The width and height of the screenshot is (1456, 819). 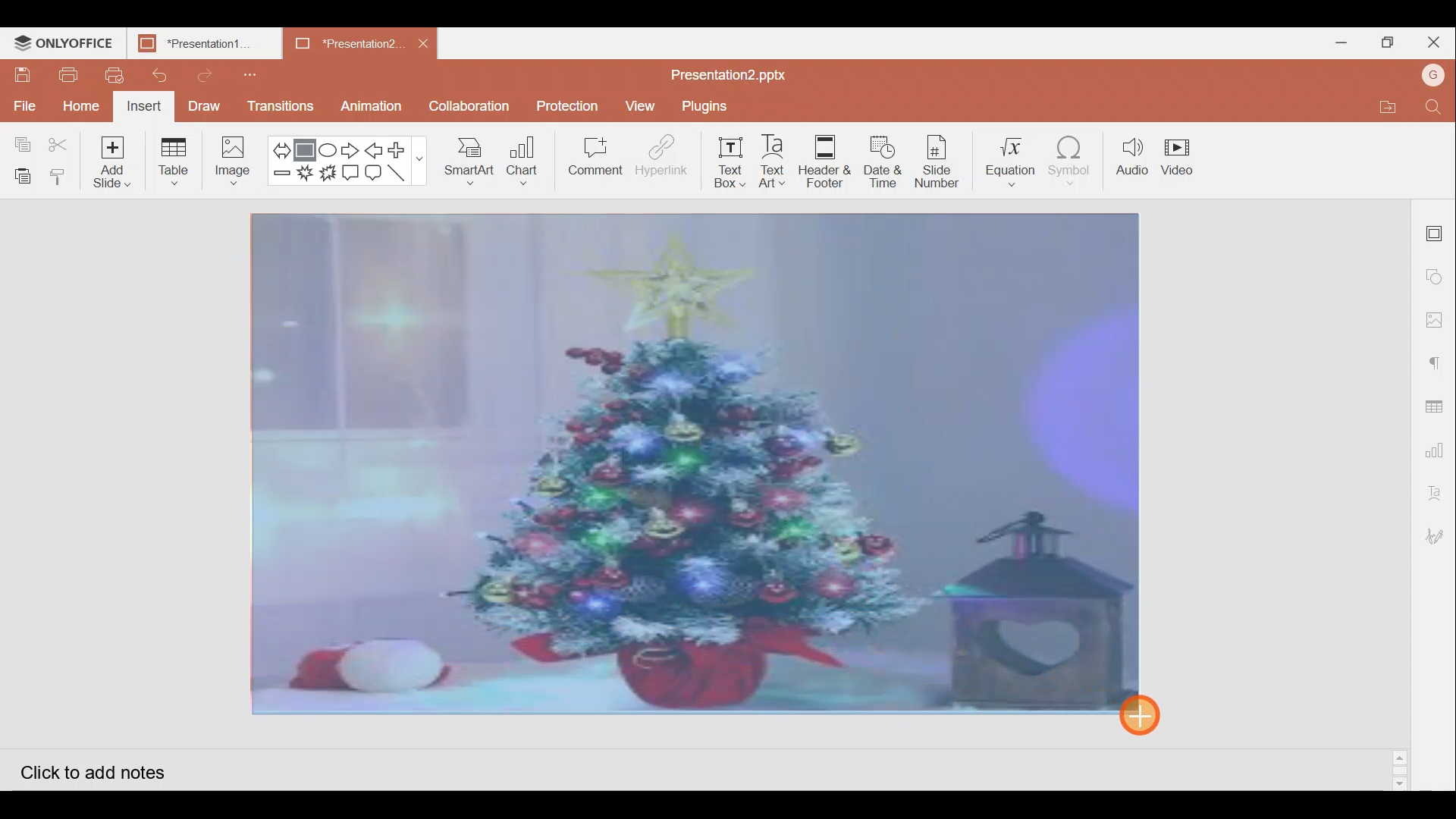 I want to click on Slide number, so click(x=942, y=160).